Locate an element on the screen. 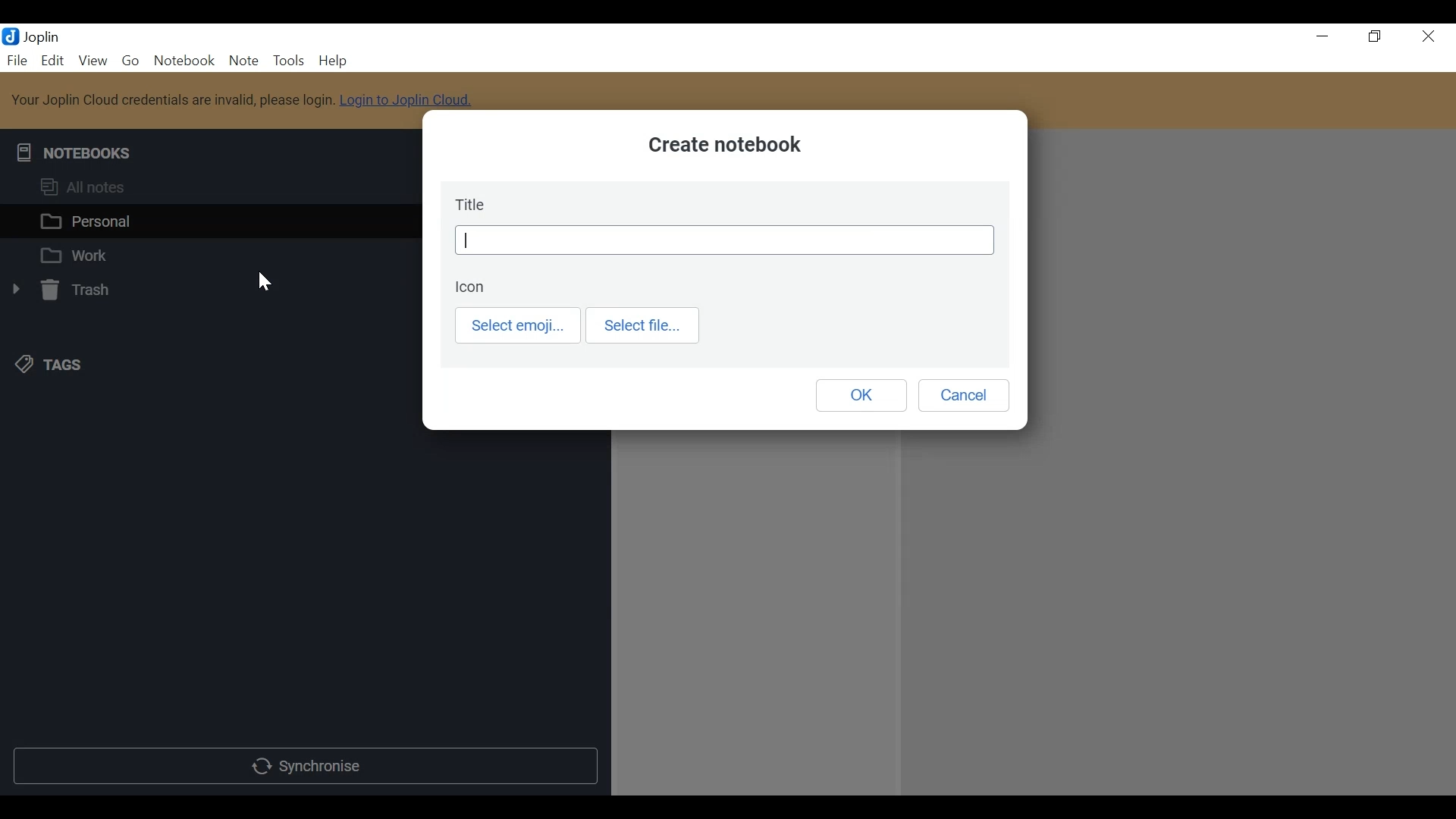 This screenshot has width=1456, height=819. Title is located at coordinates (724, 241).